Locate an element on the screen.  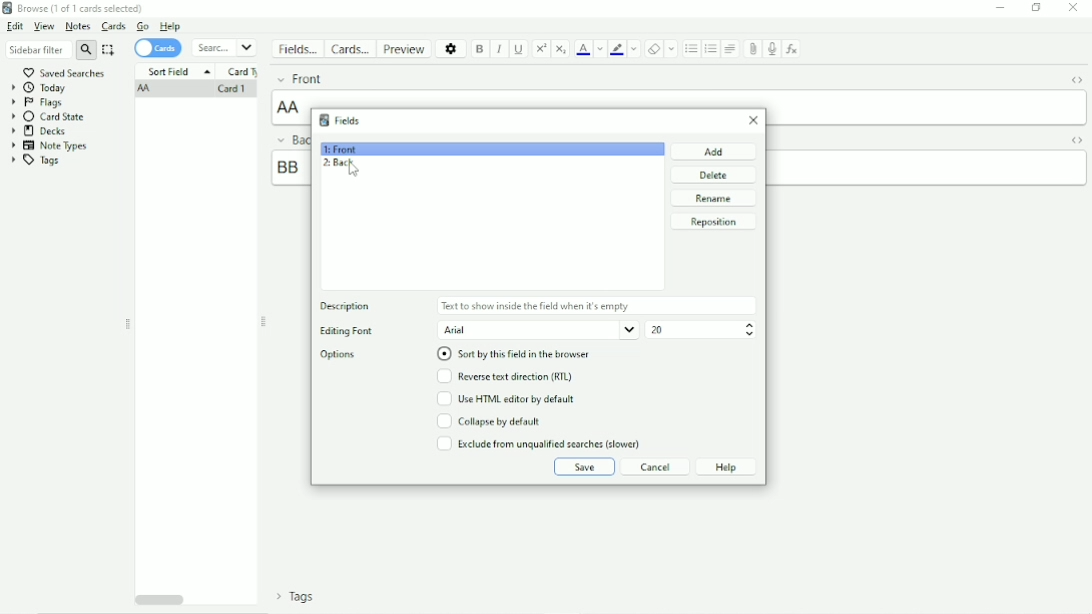
20 is located at coordinates (656, 330).